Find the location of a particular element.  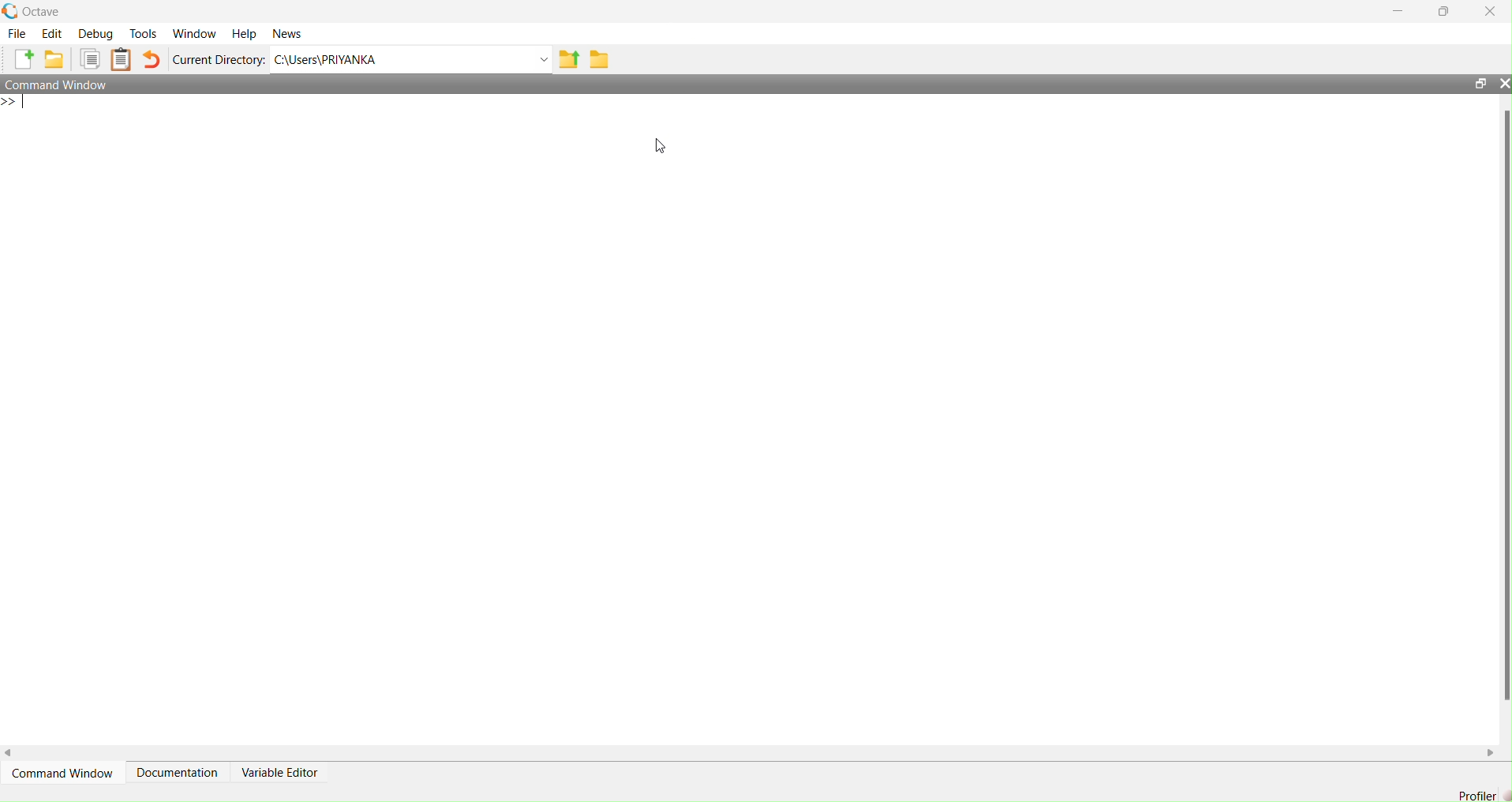

Help is located at coordinates (246, 32).